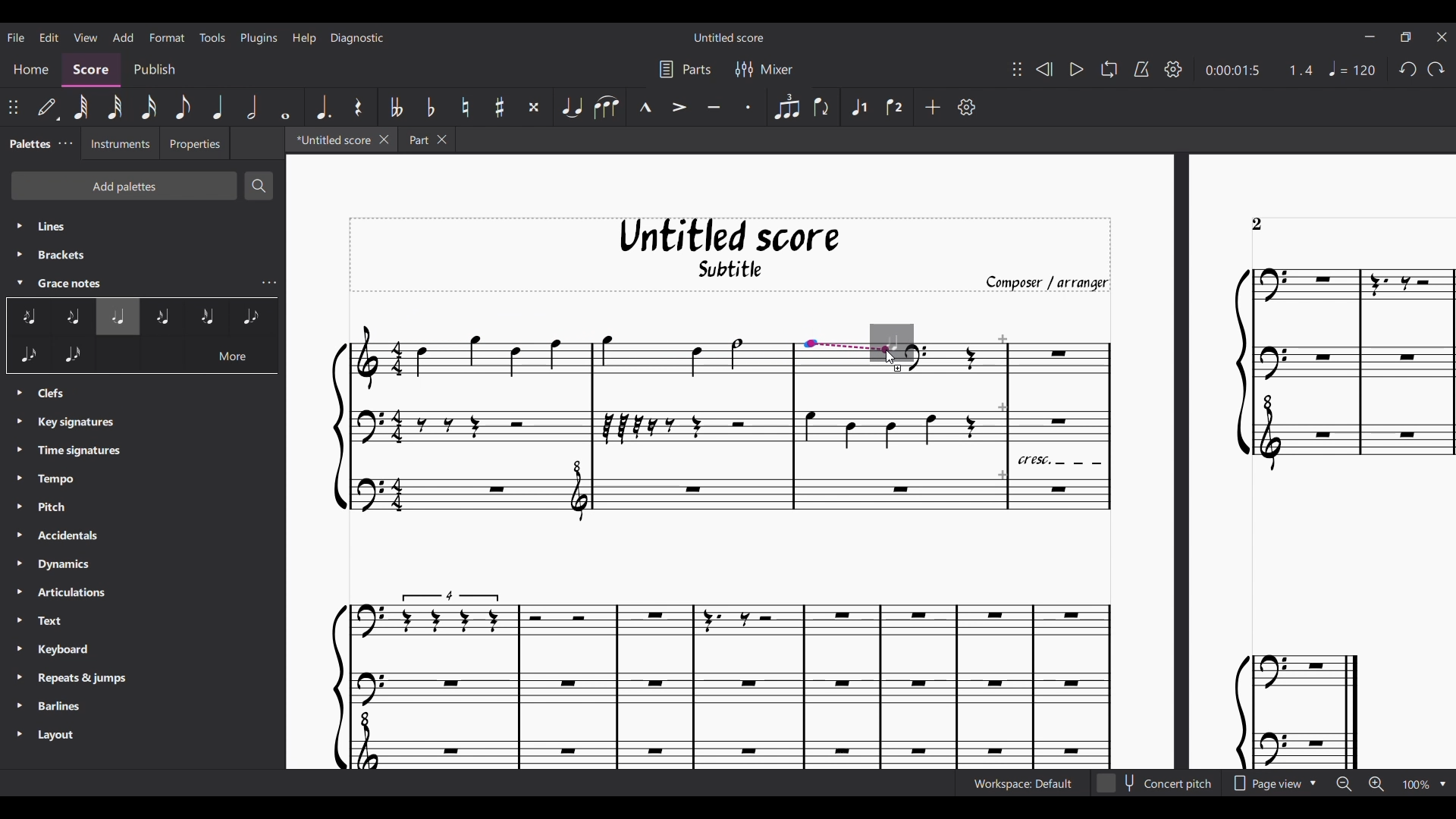 This screenshot has width=1456, height=819. I want to click on Palette list, so click(144, 253).